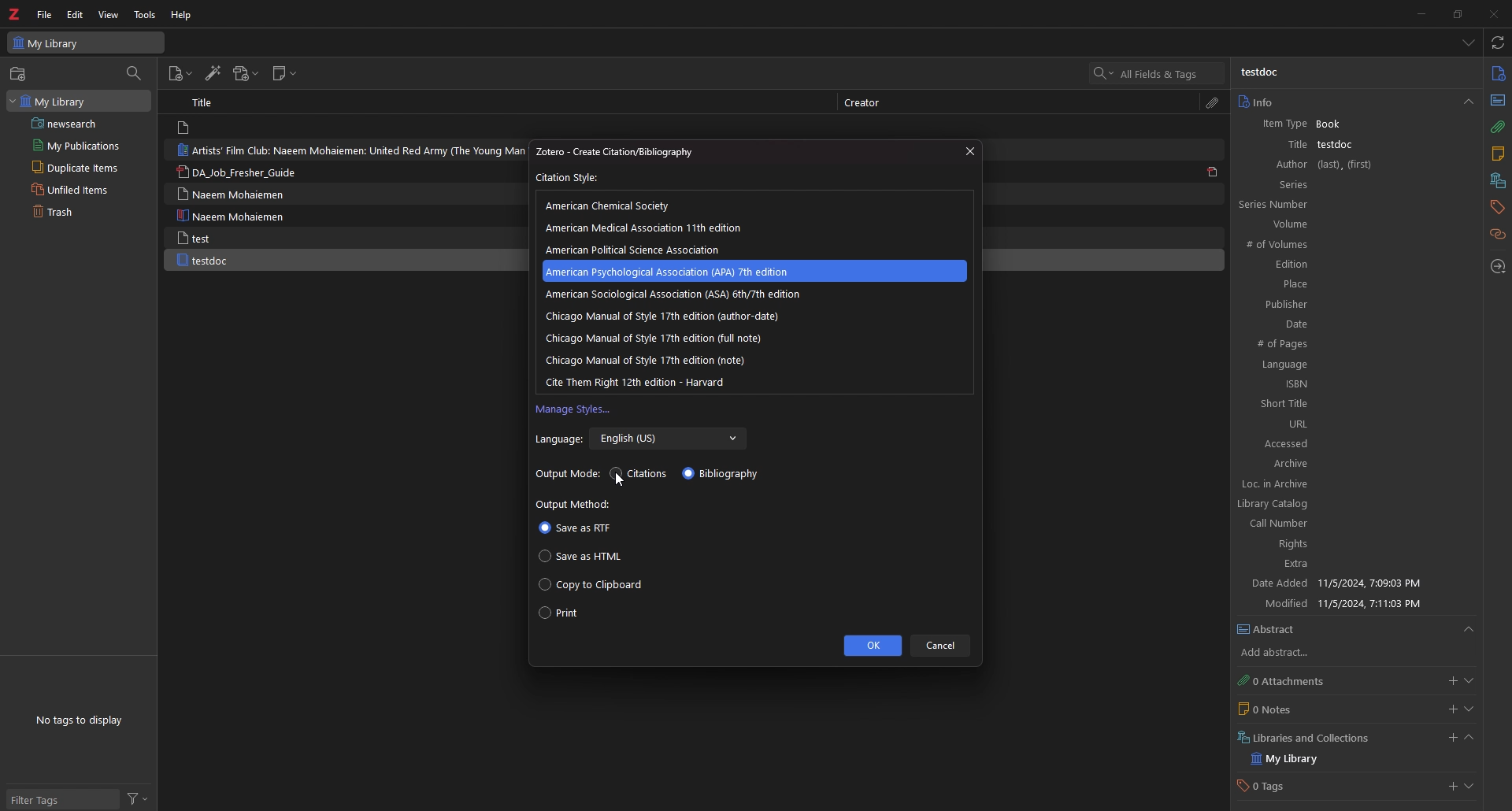 The width and height of the screenshot is (1512, 811). Describe the element at coordinates (663, 337) in the screenshot. I see `chicago manual of style full note` at that location.